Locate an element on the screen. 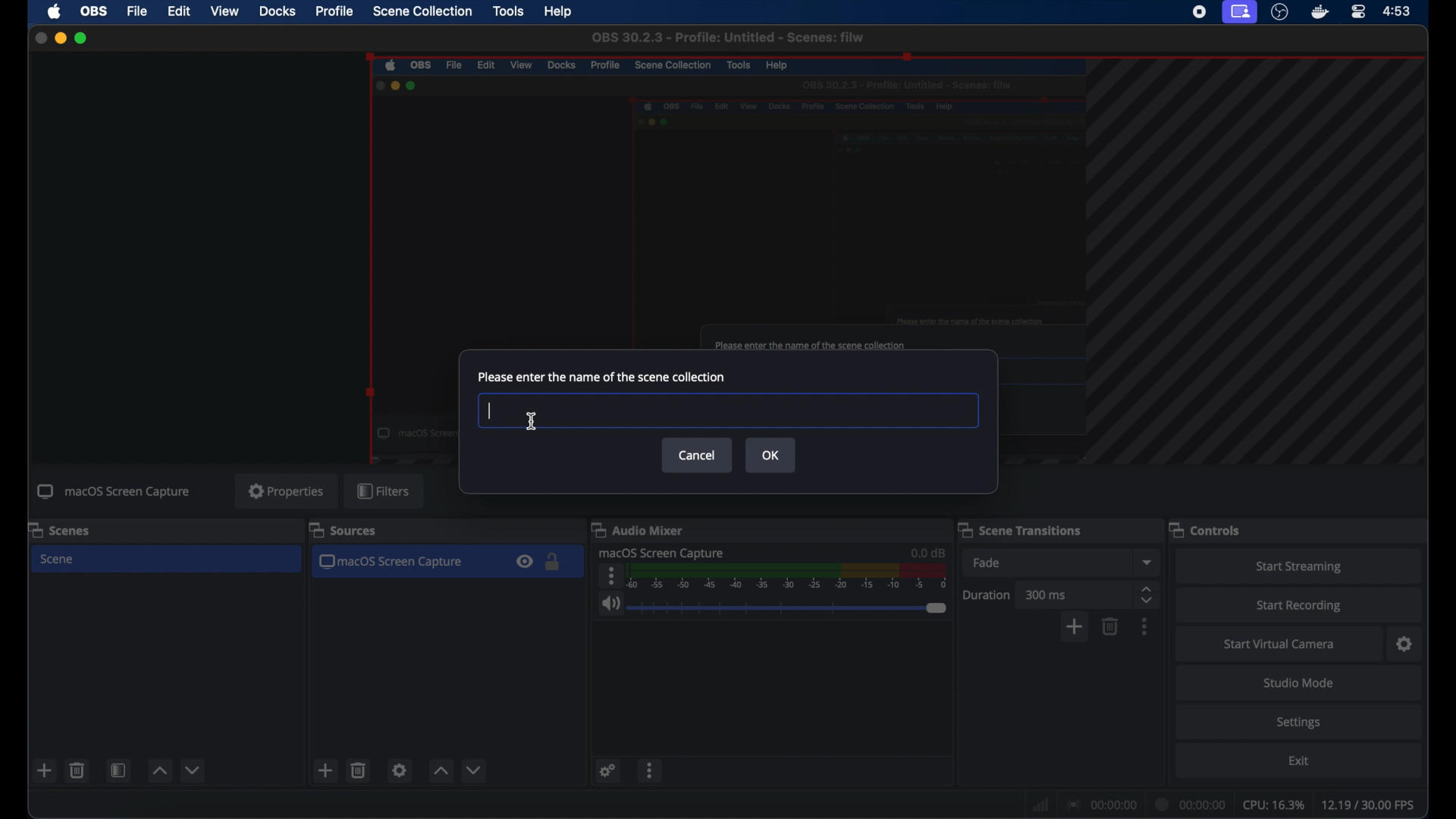  close is located at coordinates (36, 36).